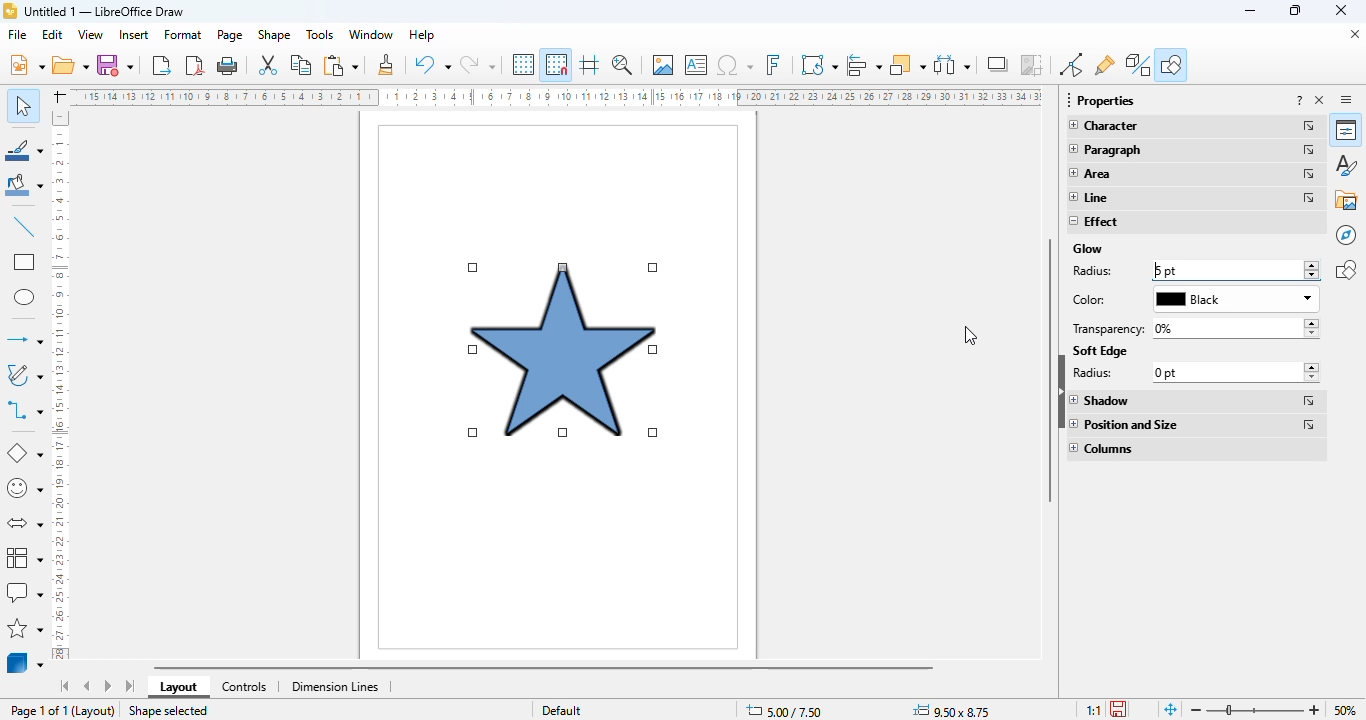 This screenshot has height=720, width=1366. I want to click on close sidebar deck, so click(1319, 100).